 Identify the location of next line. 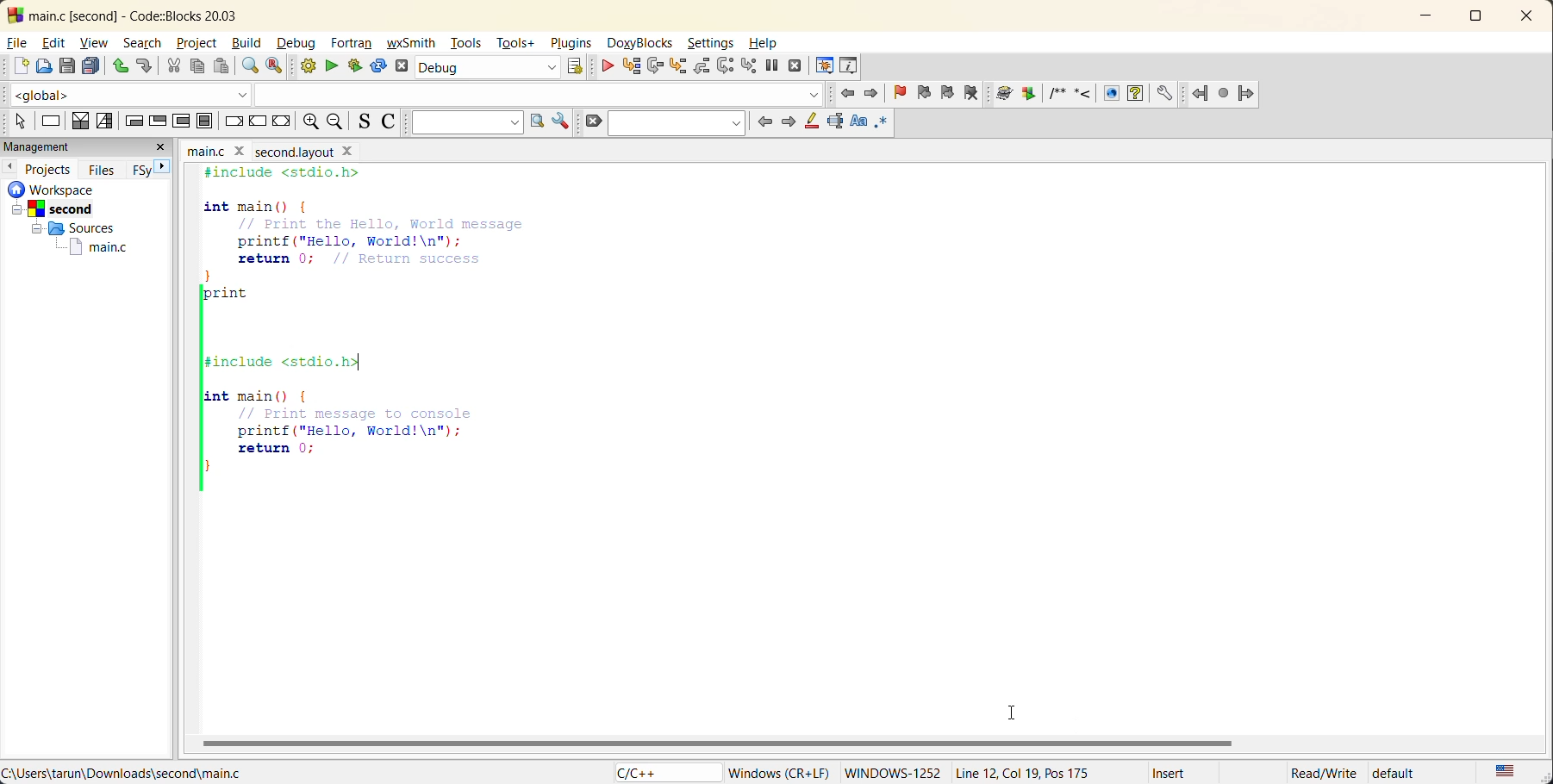
(656, 65).